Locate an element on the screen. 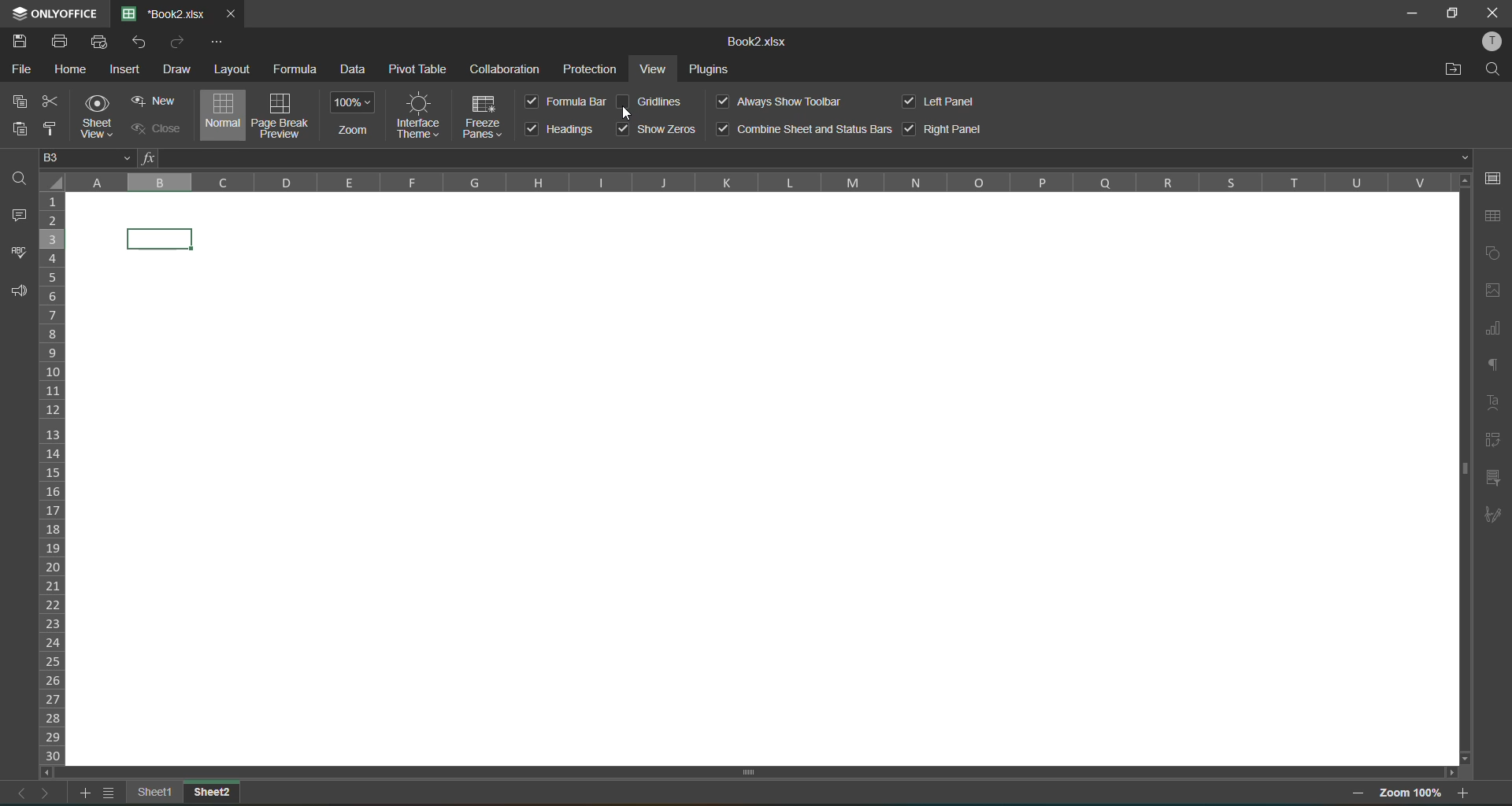 Image resolution: width=1512 pixels, height=806 pixels. zoom out is located at coordinates (1359, 794).